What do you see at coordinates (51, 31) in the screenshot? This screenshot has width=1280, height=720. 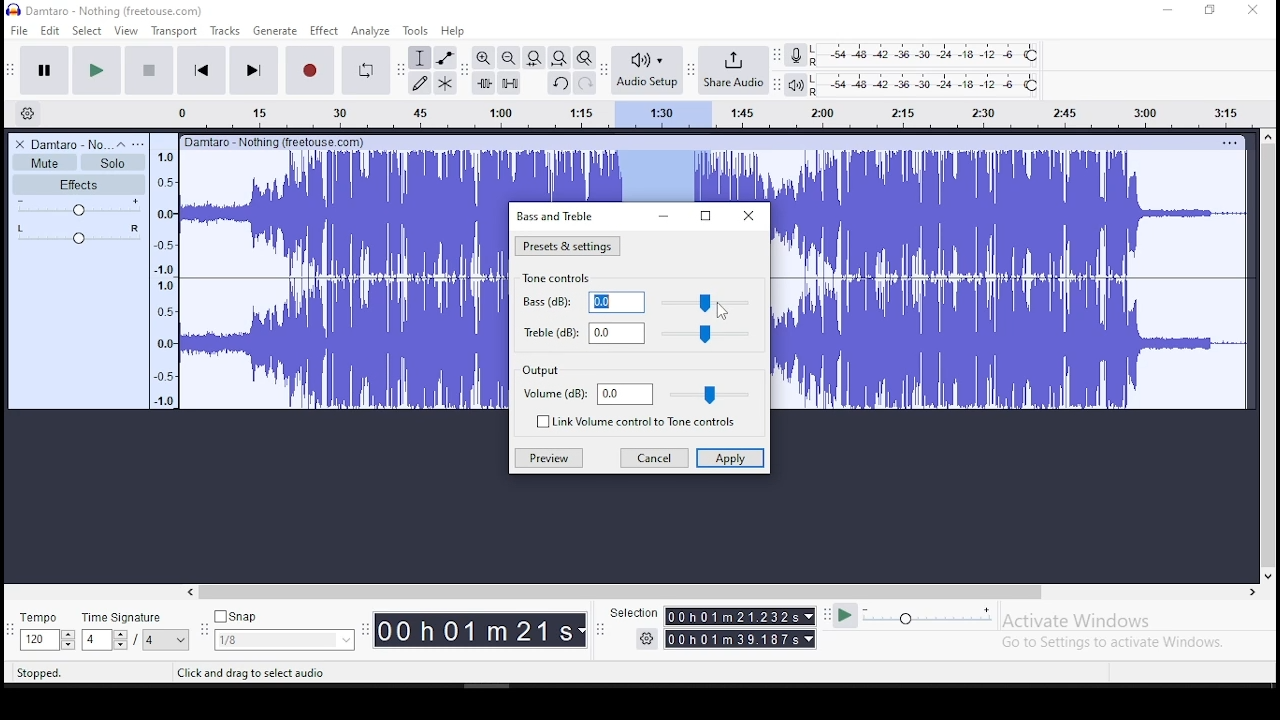 I see `edit` at bounding box center [51, 31].